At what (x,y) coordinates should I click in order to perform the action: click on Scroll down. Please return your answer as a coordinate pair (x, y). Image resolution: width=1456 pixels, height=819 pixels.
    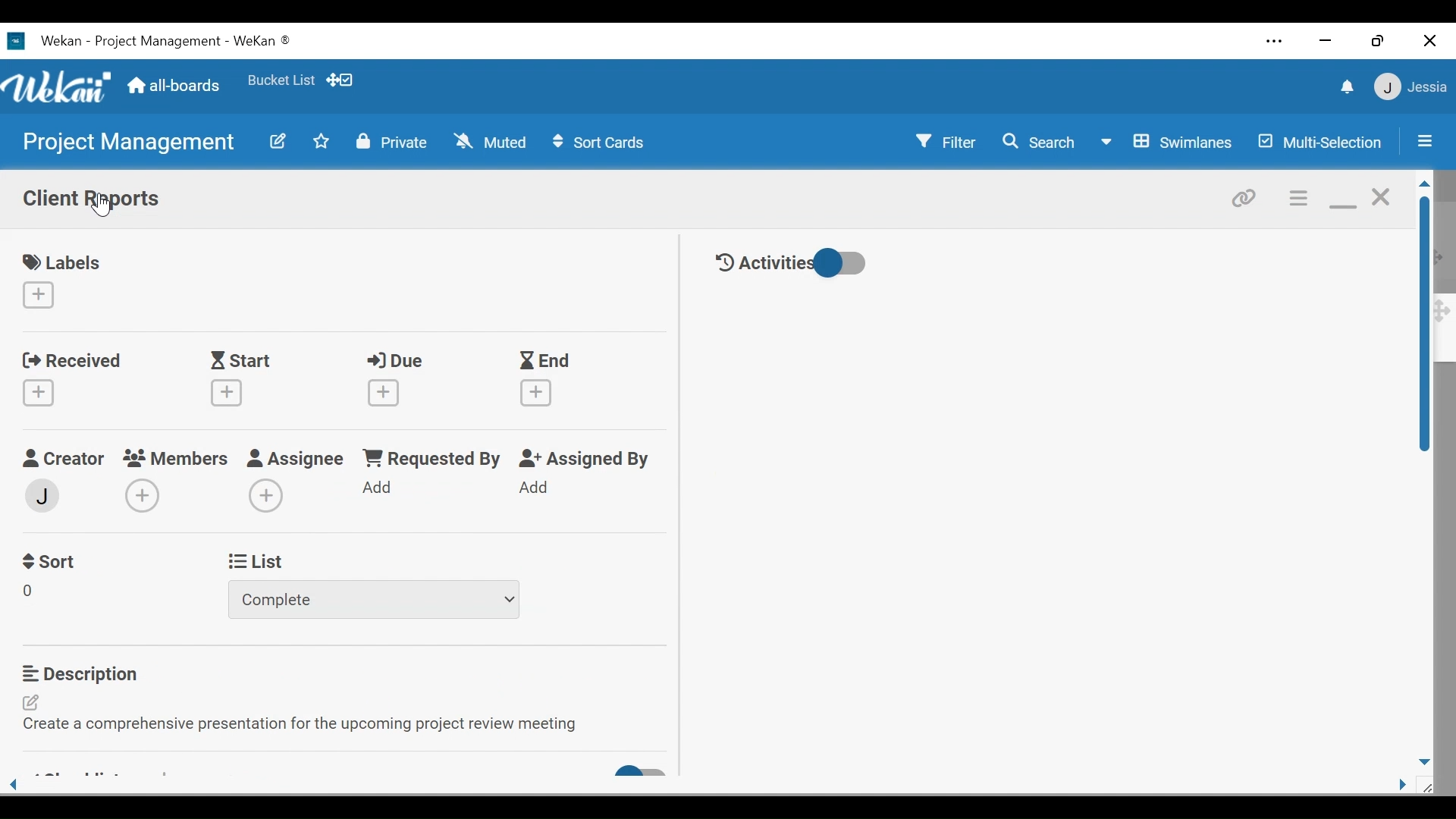
    Looking at the image, I should click on (1423, 761).